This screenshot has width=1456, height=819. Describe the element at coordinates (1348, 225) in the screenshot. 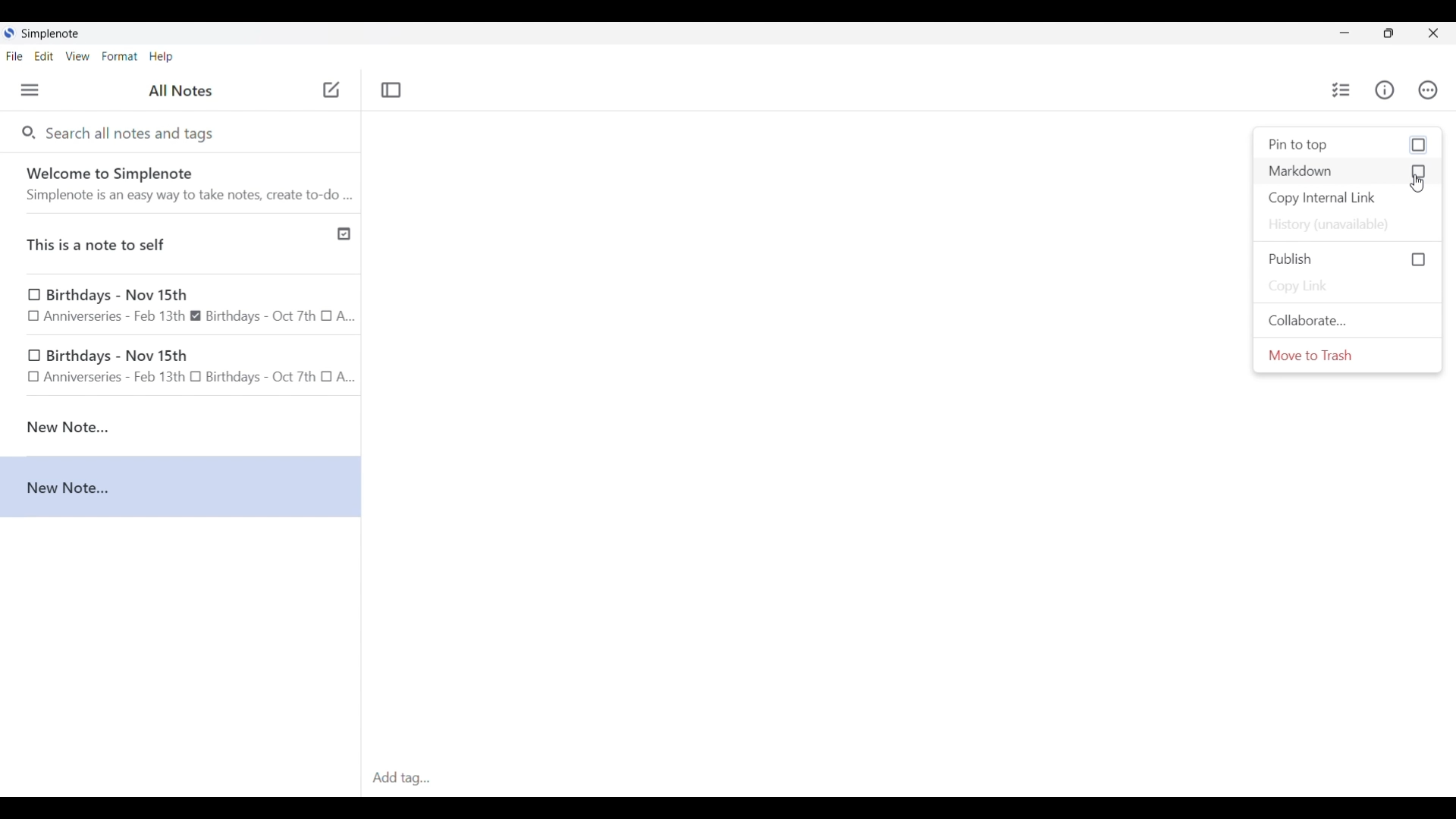

I see `History` at that location.